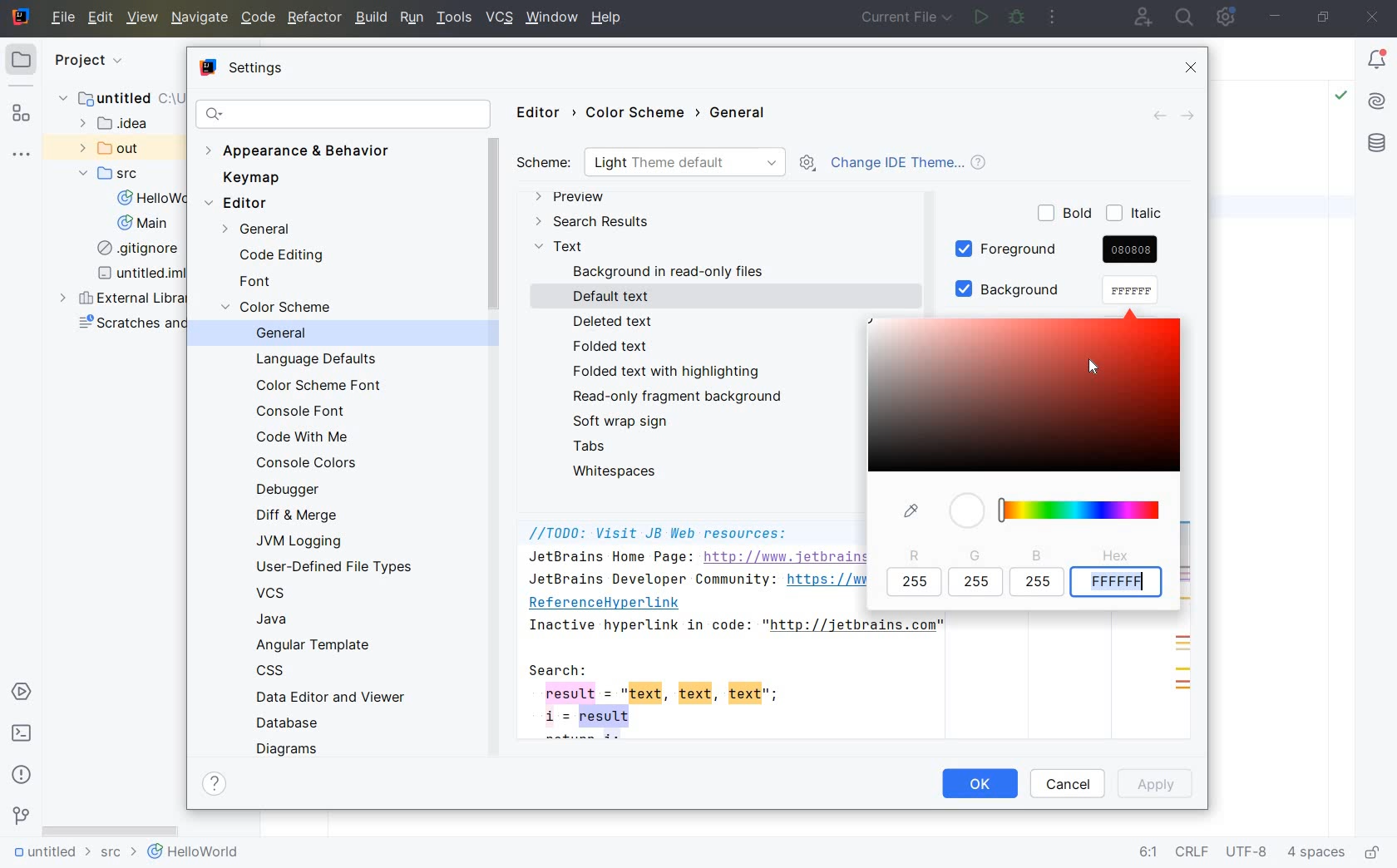 Image resolution: width=1397 pixels, height=868 pixels. I want to click on scratches and consoles, so click(131, 326).